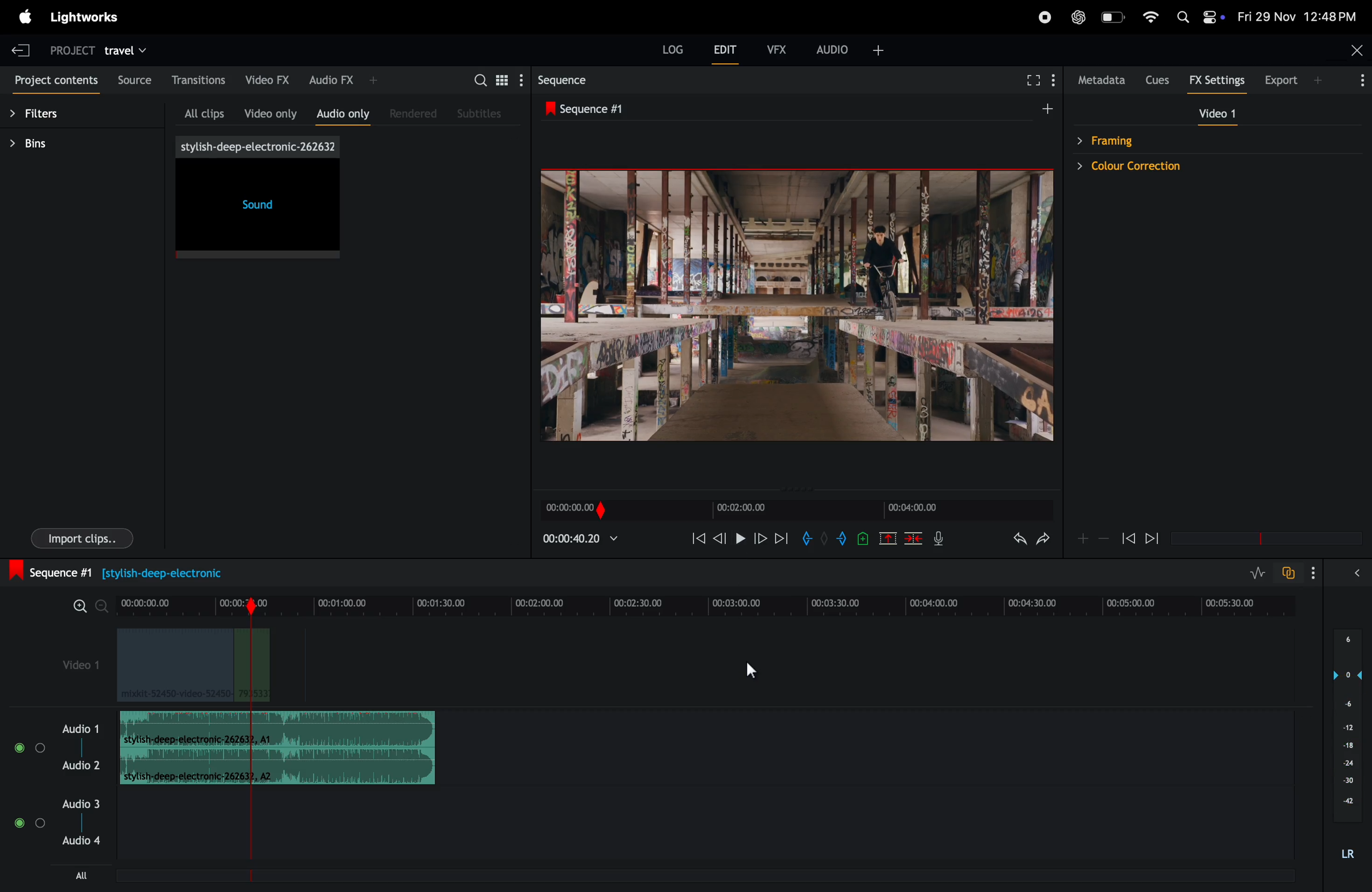 The height and width of the screenshot is (892, 1372). I want to click on sound effect, so click(260, 198).